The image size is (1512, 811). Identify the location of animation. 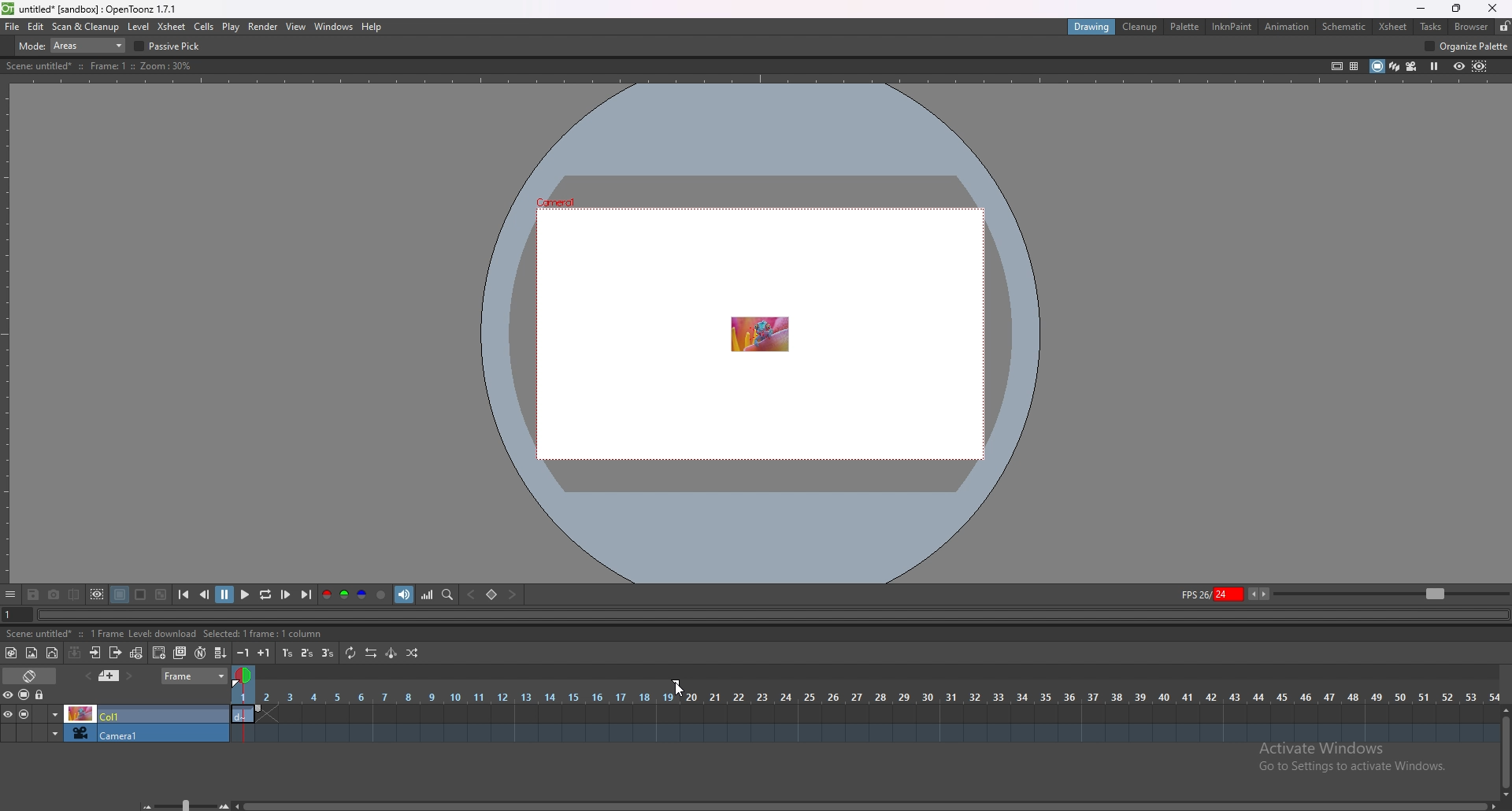
(1287, 28).